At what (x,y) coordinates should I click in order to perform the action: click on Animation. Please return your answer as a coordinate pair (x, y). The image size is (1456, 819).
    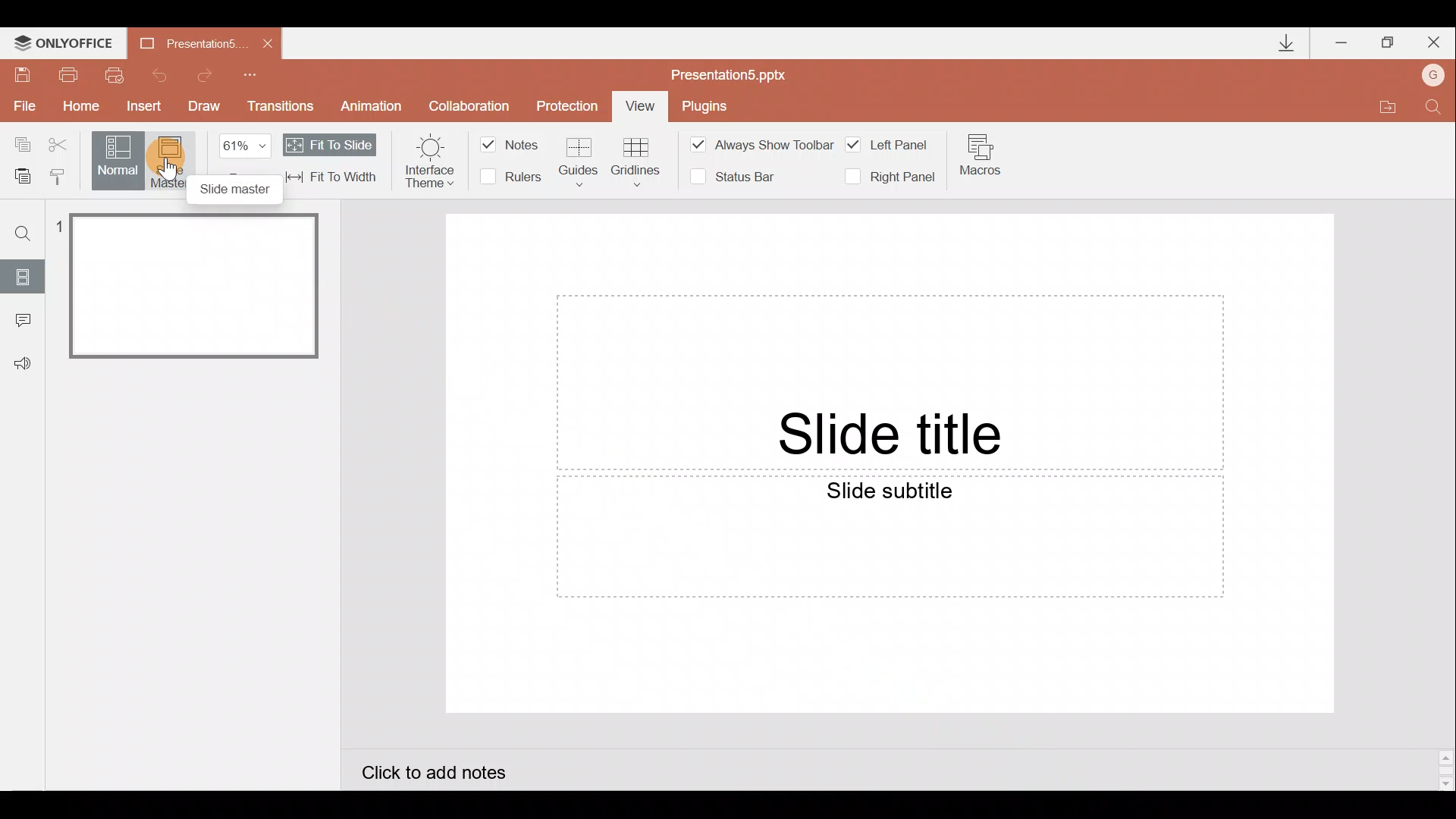
    Looking at the image, I should click on (375, 104).